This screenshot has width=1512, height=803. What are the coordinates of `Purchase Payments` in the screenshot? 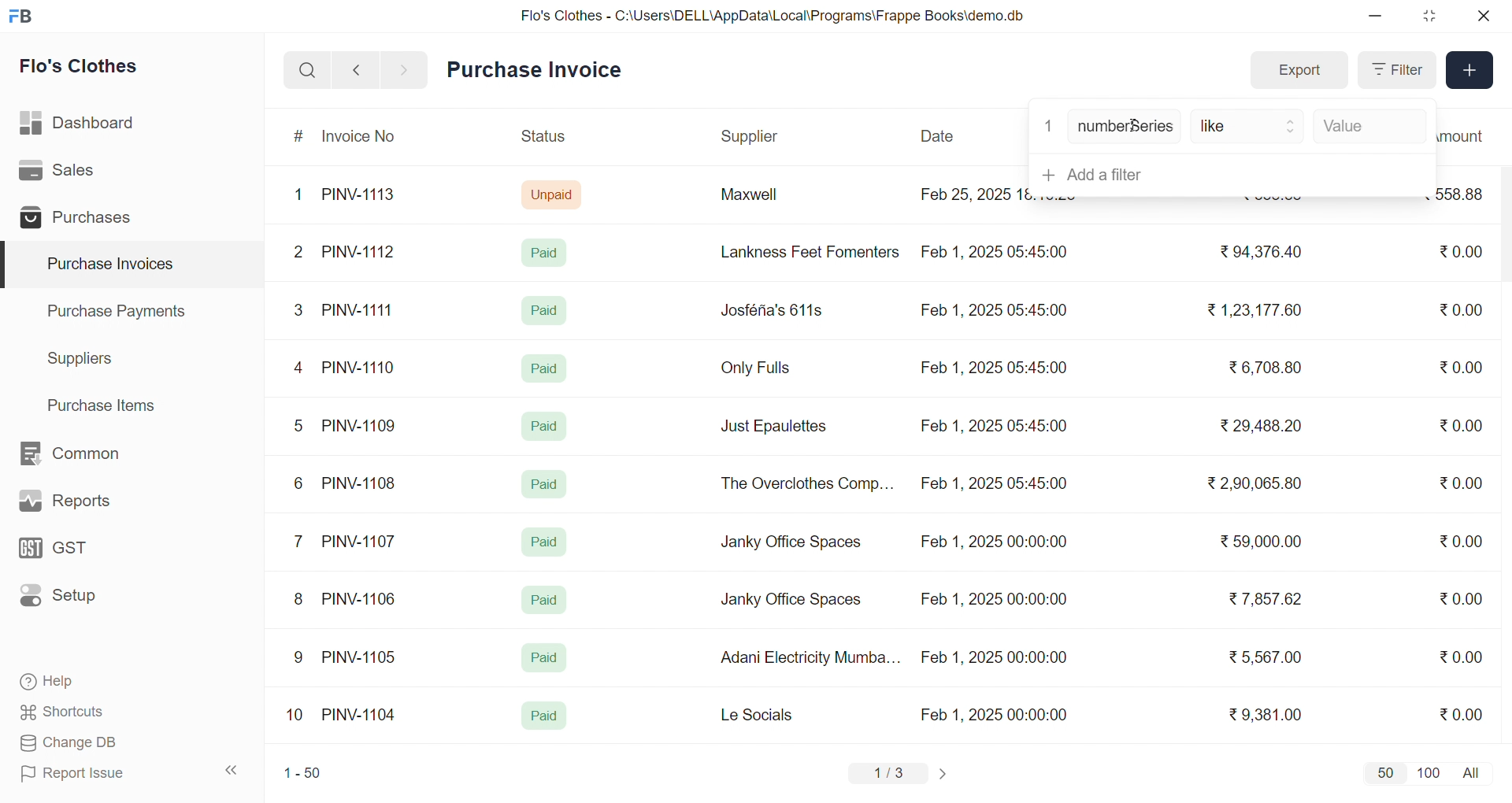 It's located at (121, 310).